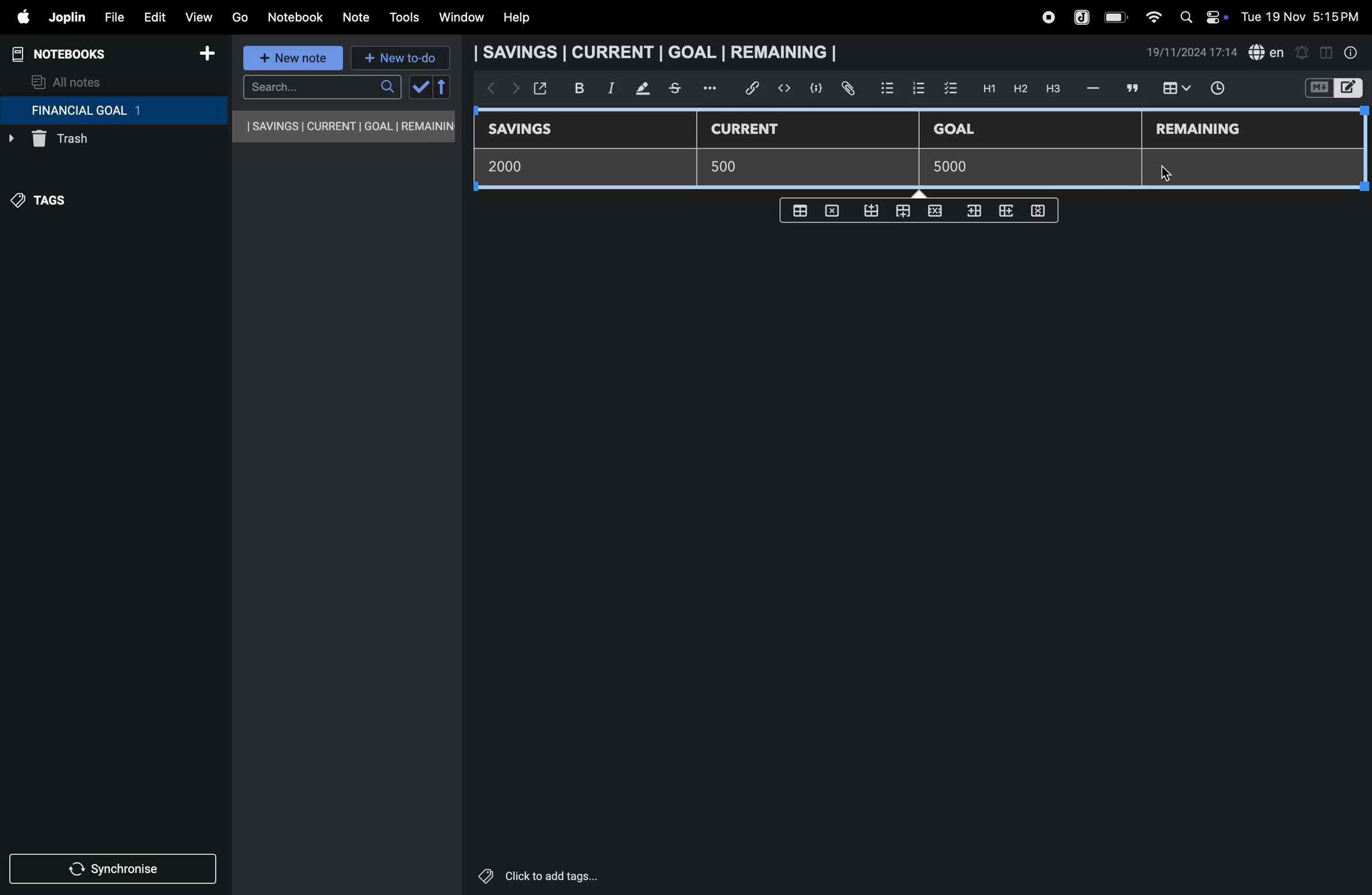 This screenshot has height=895, width=1372. What do you see at coordinates (525, 18) in the screenshot?
I see `help` at bounding box center [525, 18].